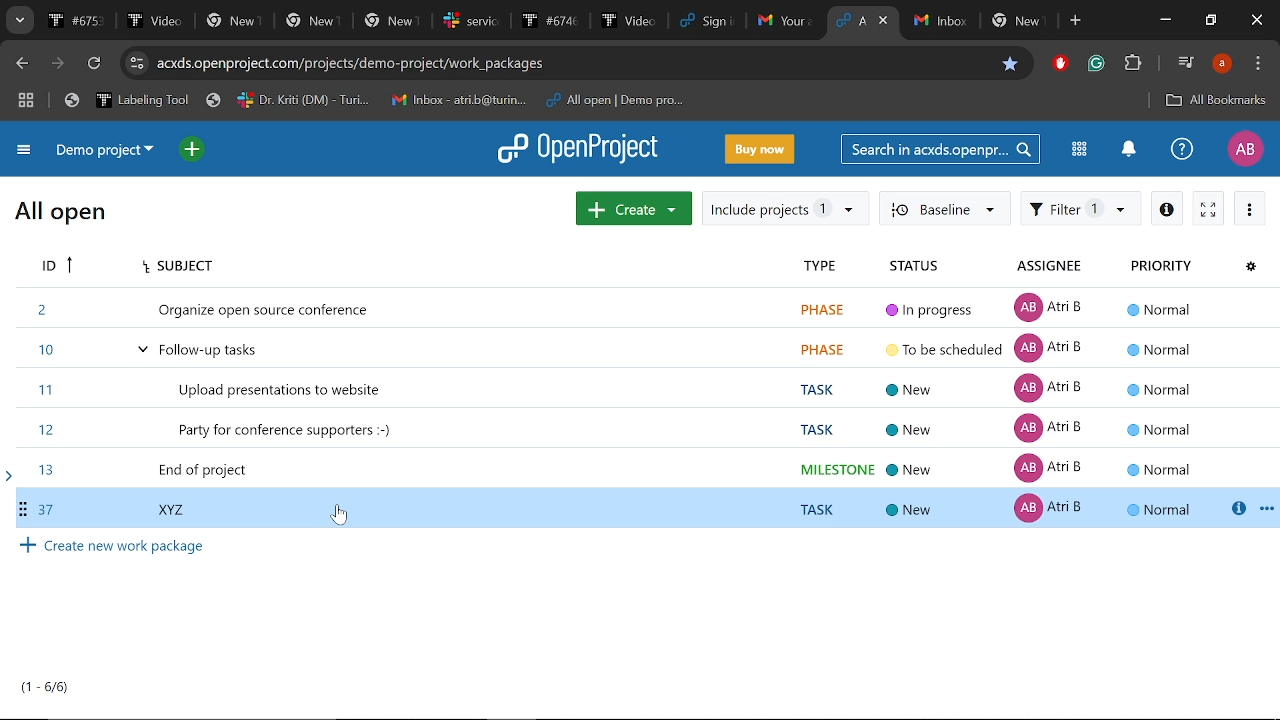 The height and width of the screenshot is (720, 1280). I want to click on Search in acxds.openproject, so click(938, 148).